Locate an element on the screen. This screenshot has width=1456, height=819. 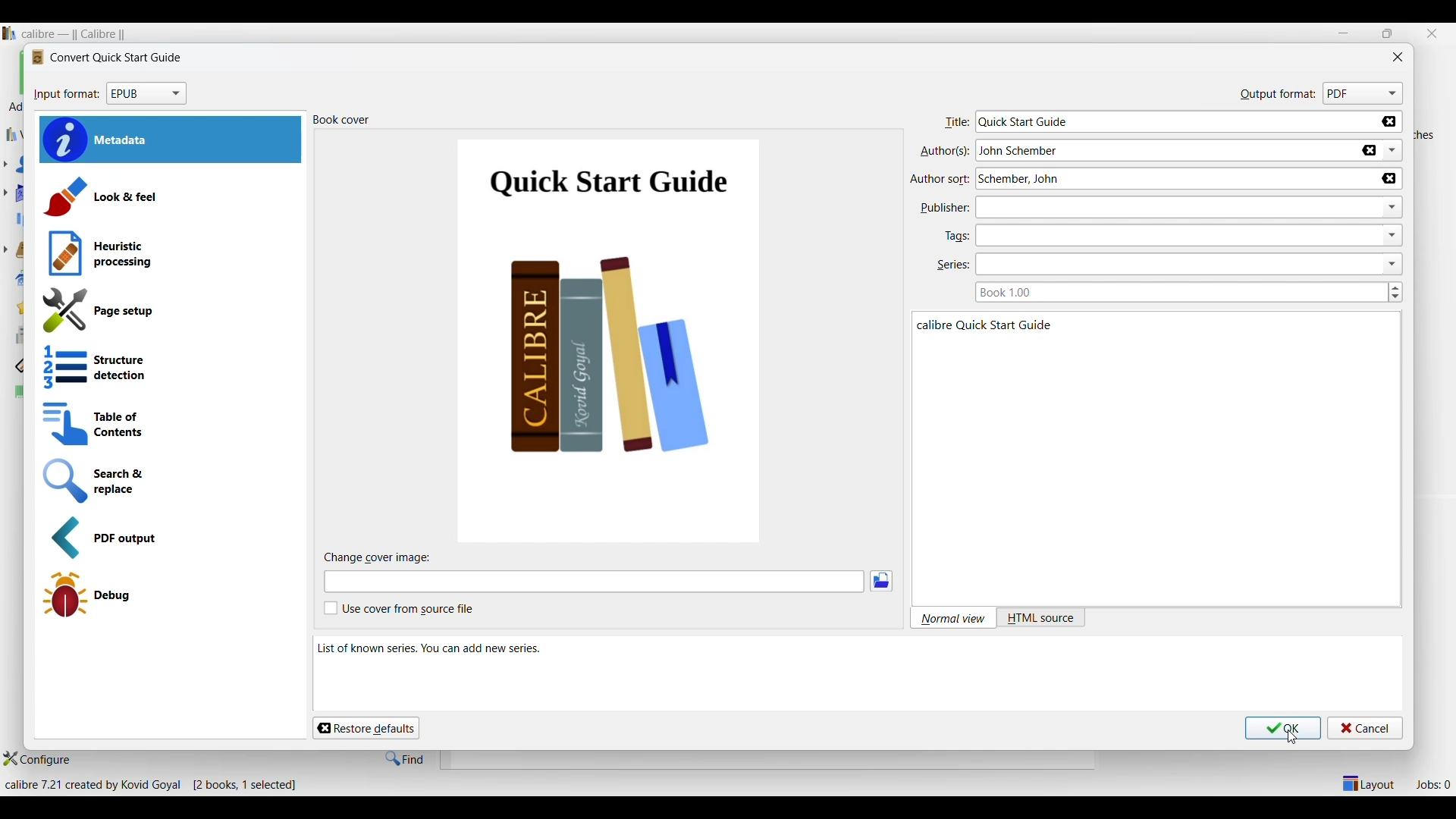
dropdown is located at coordinates (1392, 208).